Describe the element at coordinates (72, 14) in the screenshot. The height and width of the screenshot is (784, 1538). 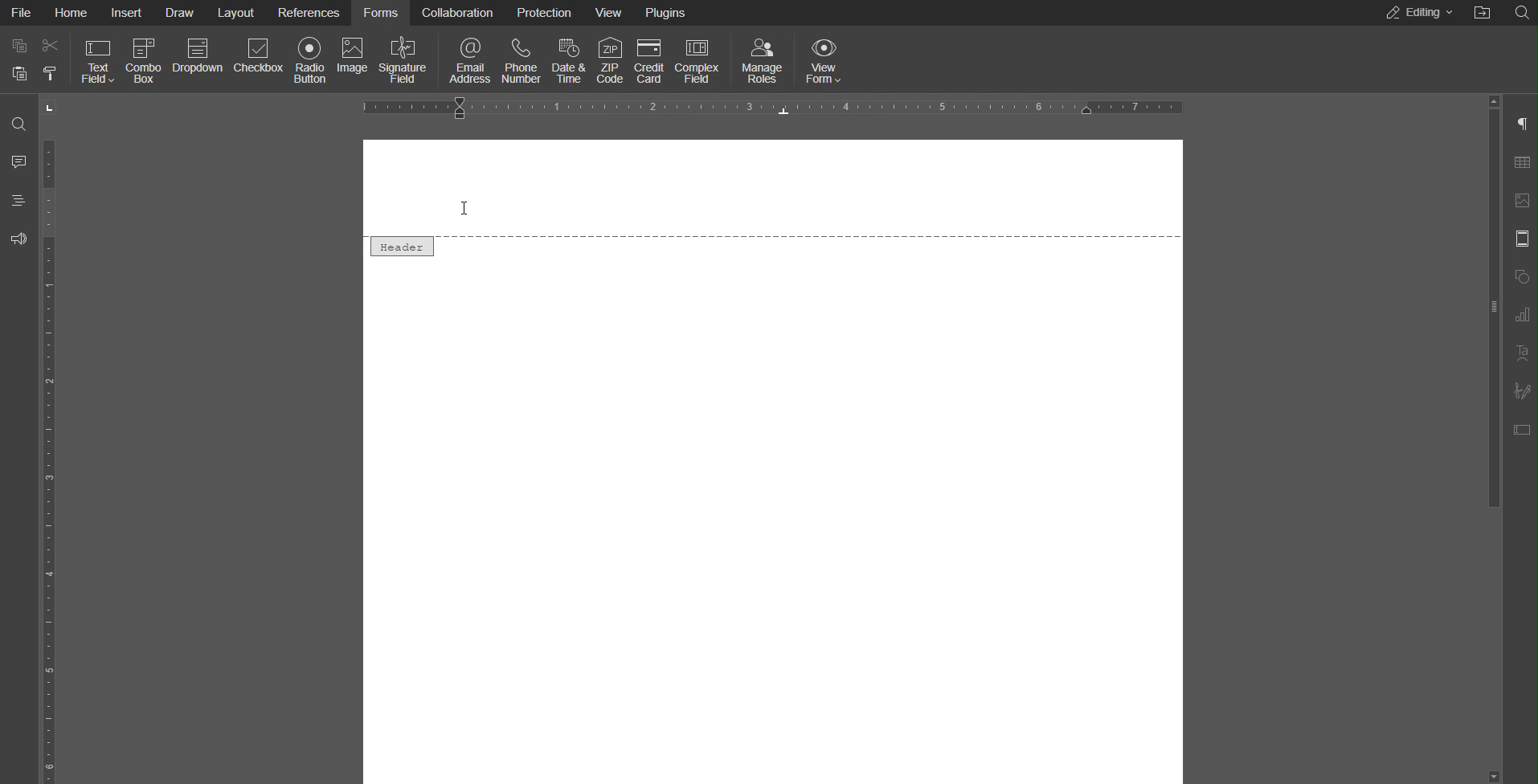
I see `Home` at that location.